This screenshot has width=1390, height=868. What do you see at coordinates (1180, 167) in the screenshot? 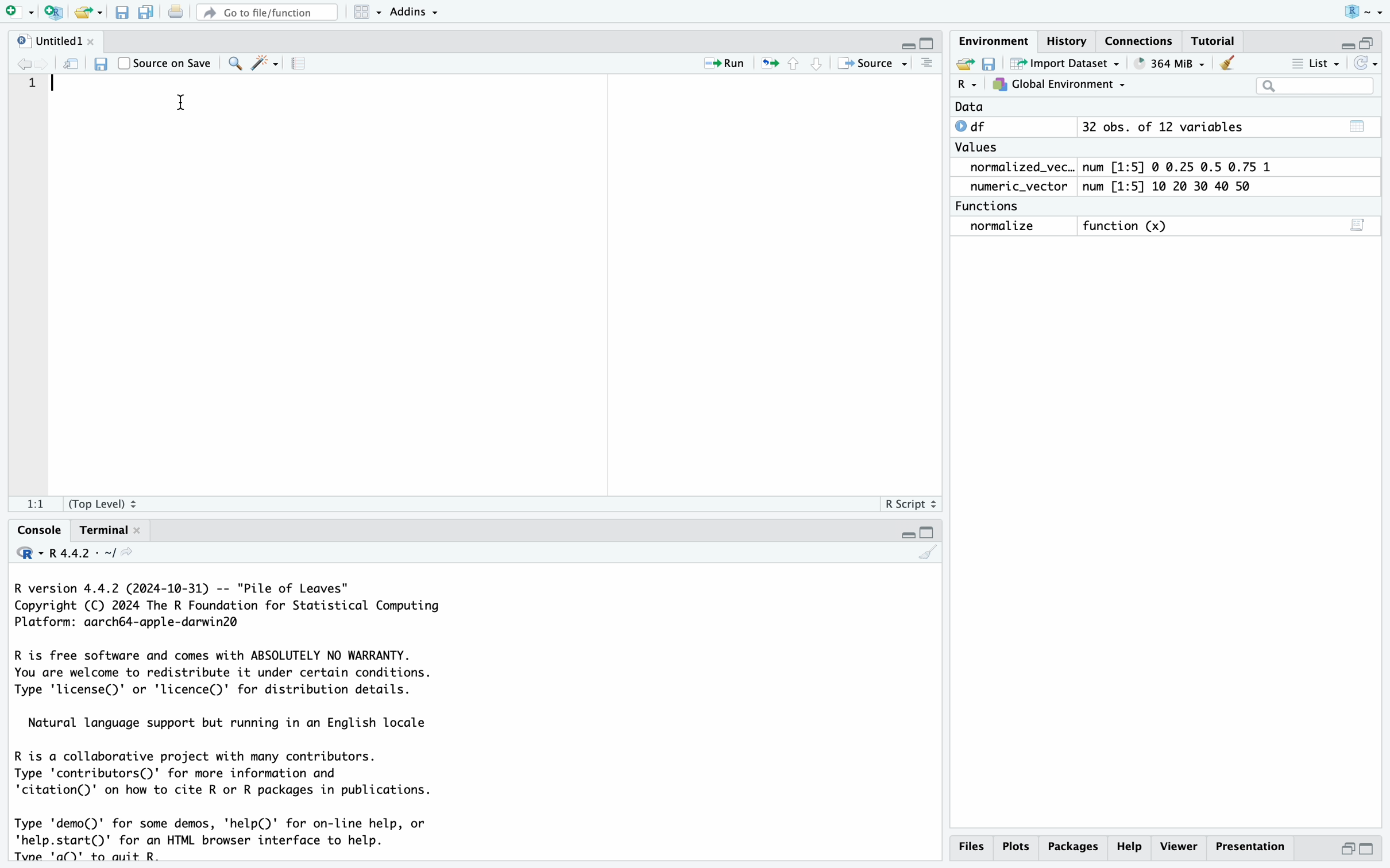
I see `num [1:5] 0 0.25 0.5 0.75 1` at bounding box center [1180, 167].